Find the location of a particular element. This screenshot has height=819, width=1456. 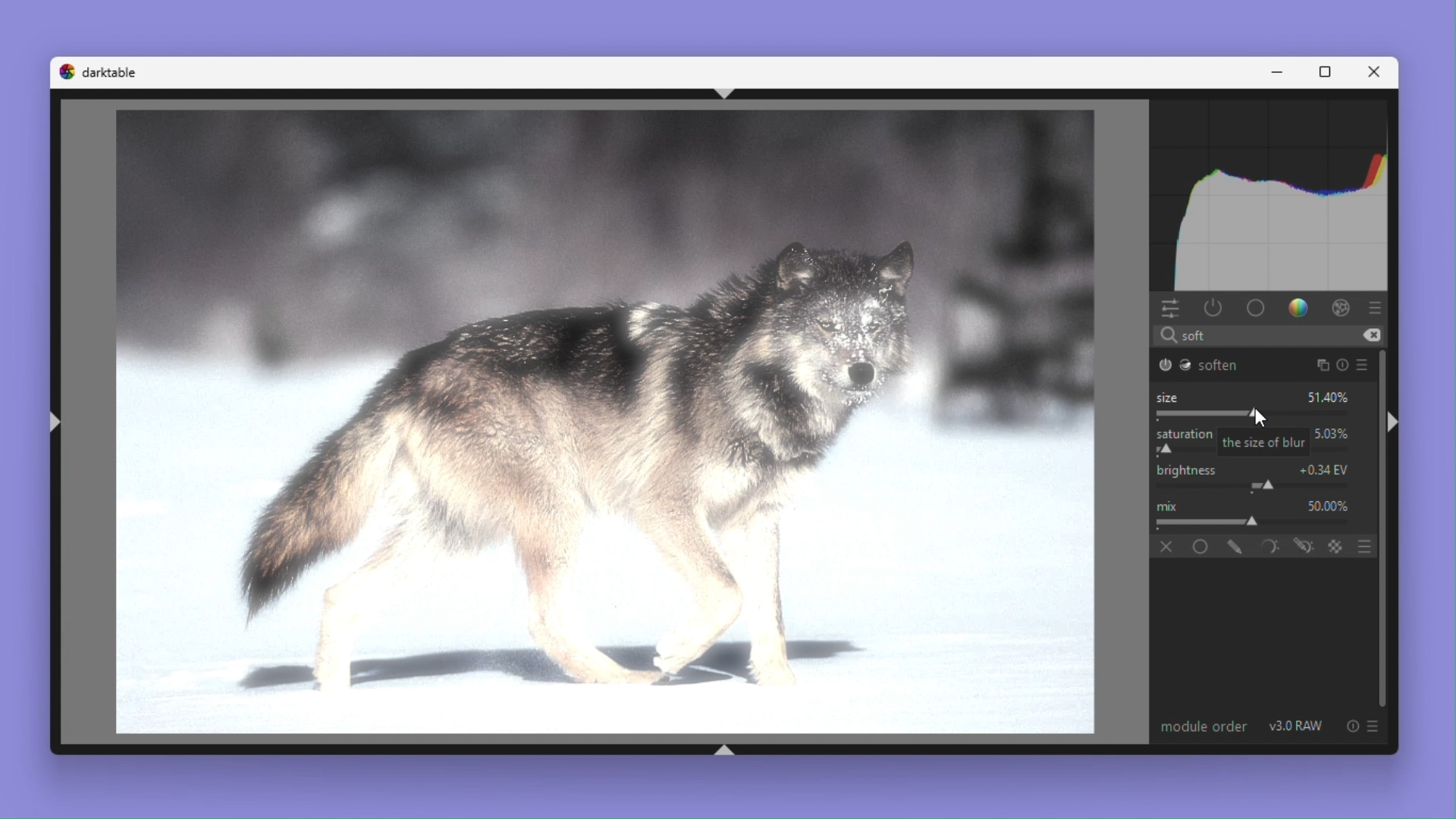

Uniformly is located at coordinates (1203, 546).